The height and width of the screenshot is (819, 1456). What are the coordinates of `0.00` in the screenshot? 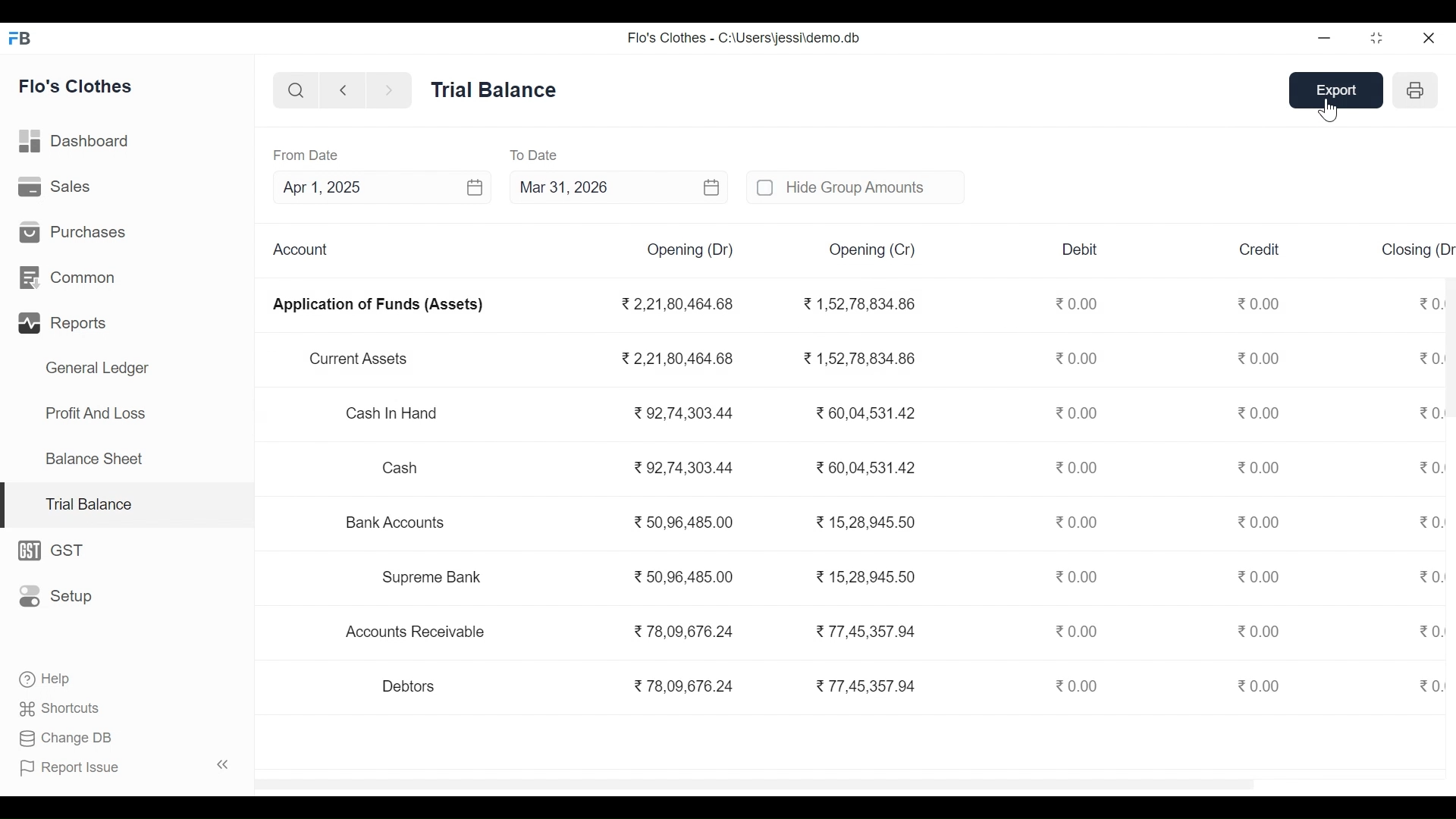 It's located at (1078, 575).